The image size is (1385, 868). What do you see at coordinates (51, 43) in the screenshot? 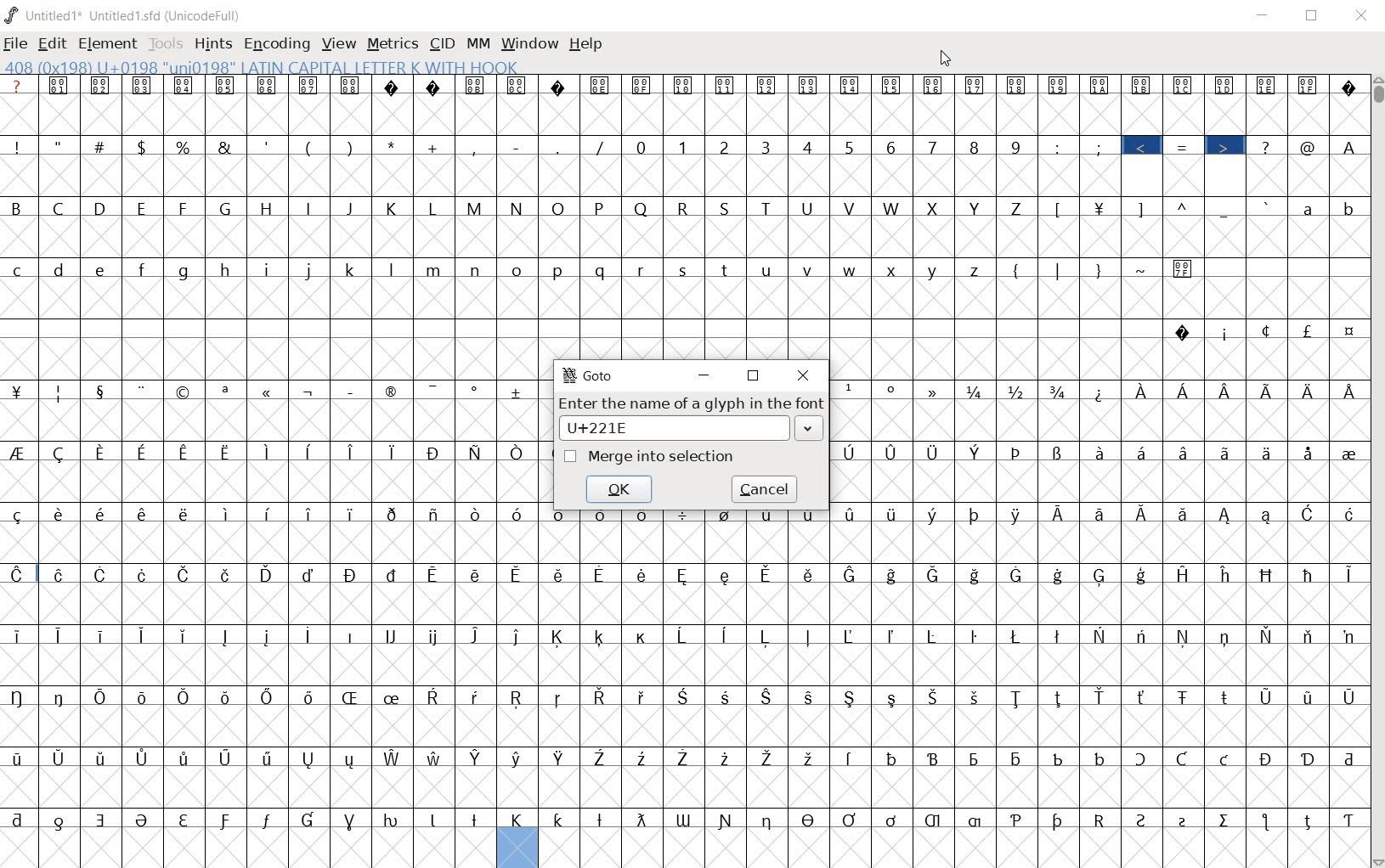
I see `edit` at bounding box center [51, 43].